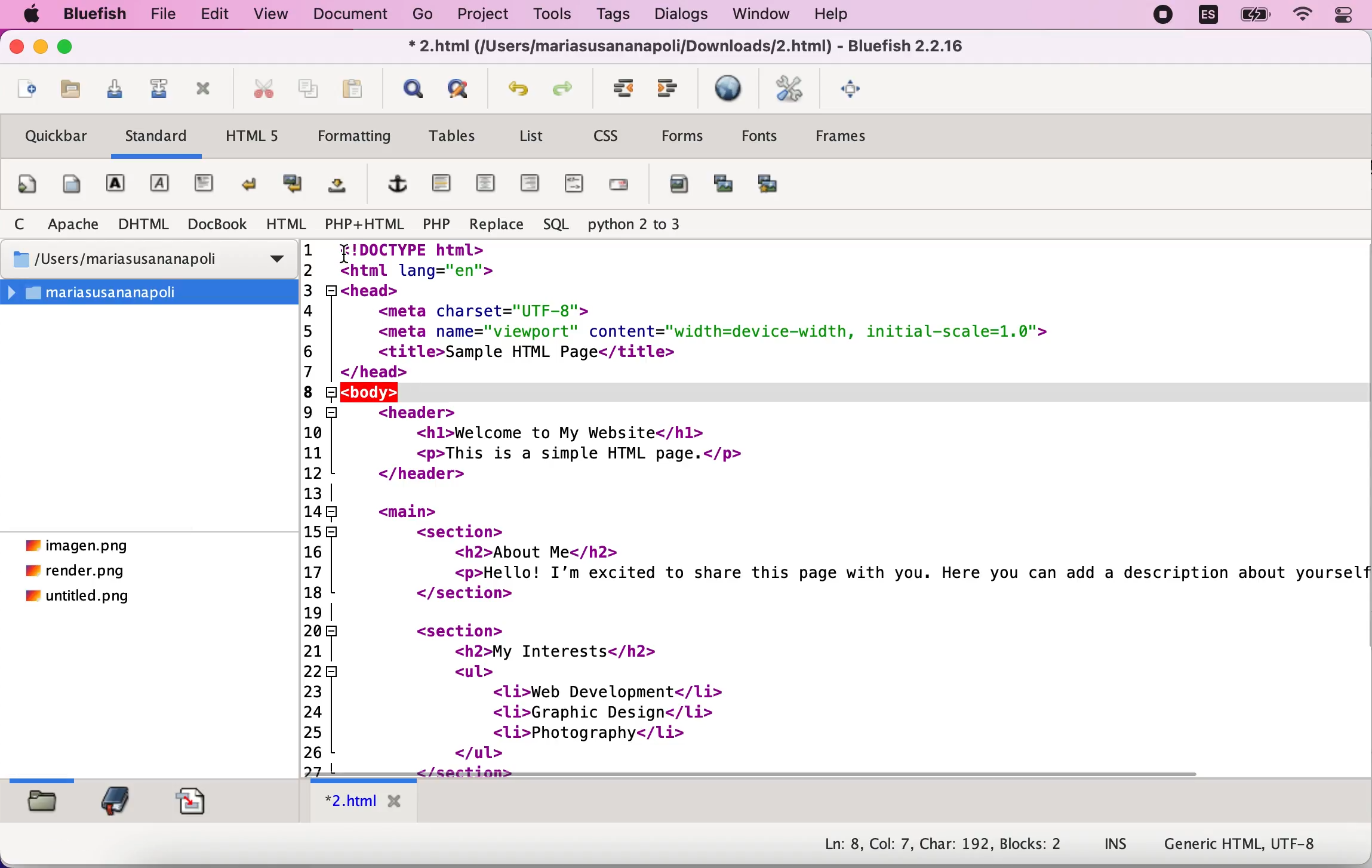 This screenshot has width=1372, height=868. I want to click on center, so click(484, 184).